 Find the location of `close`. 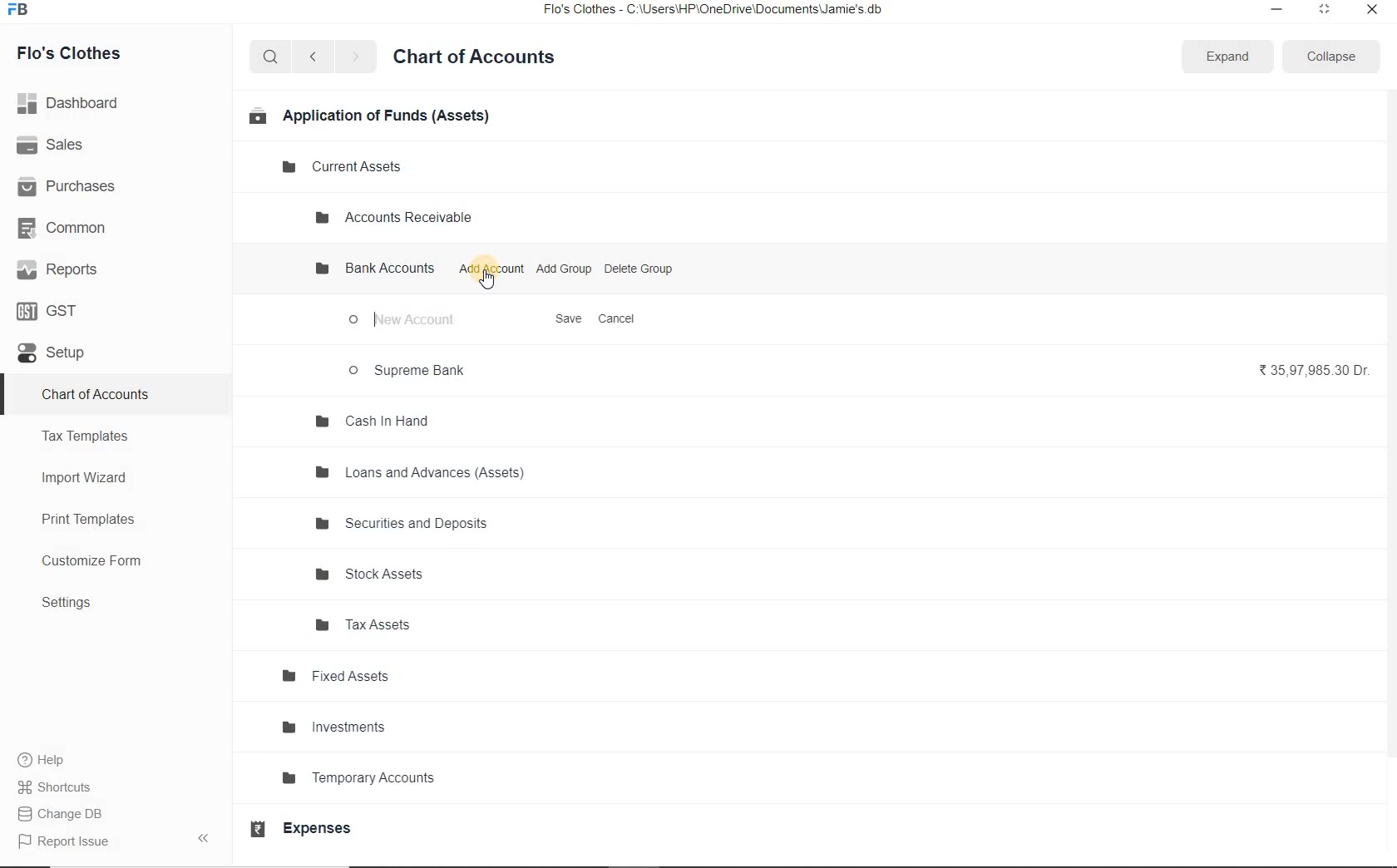

close is located at coordinates (1371, 8).